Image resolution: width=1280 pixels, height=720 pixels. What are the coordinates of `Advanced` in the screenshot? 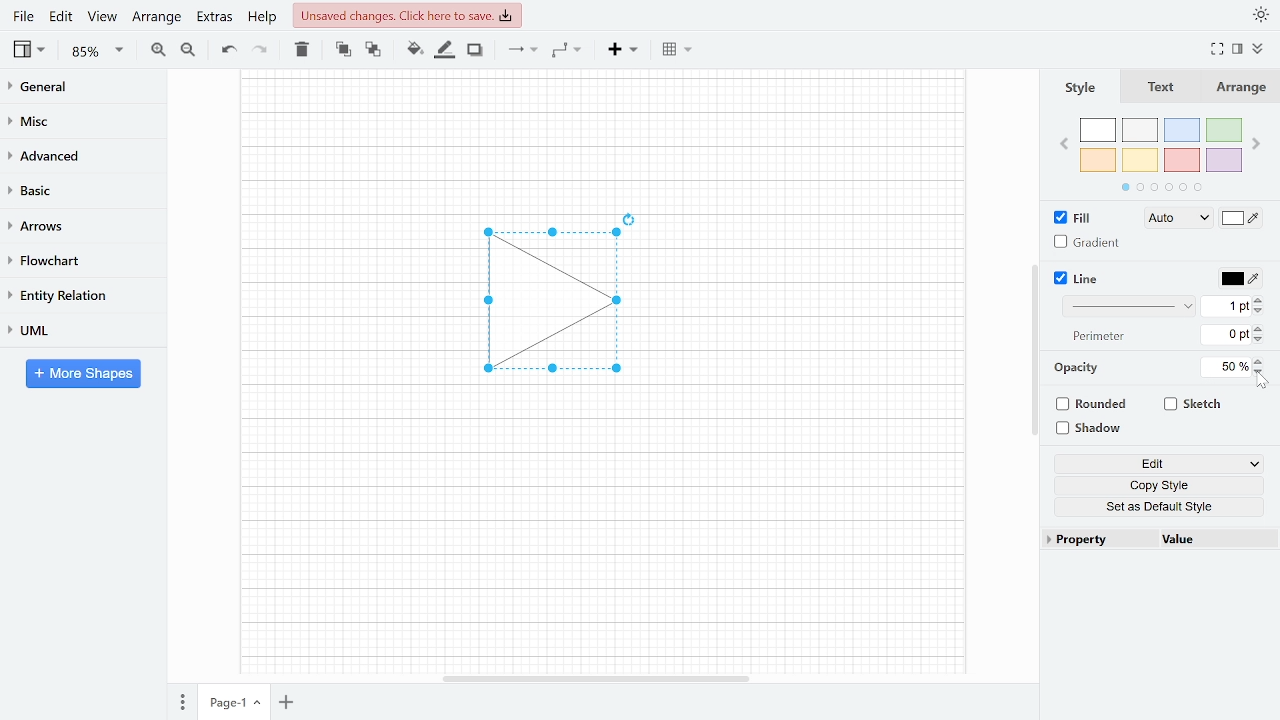 It's located at (77, 154).